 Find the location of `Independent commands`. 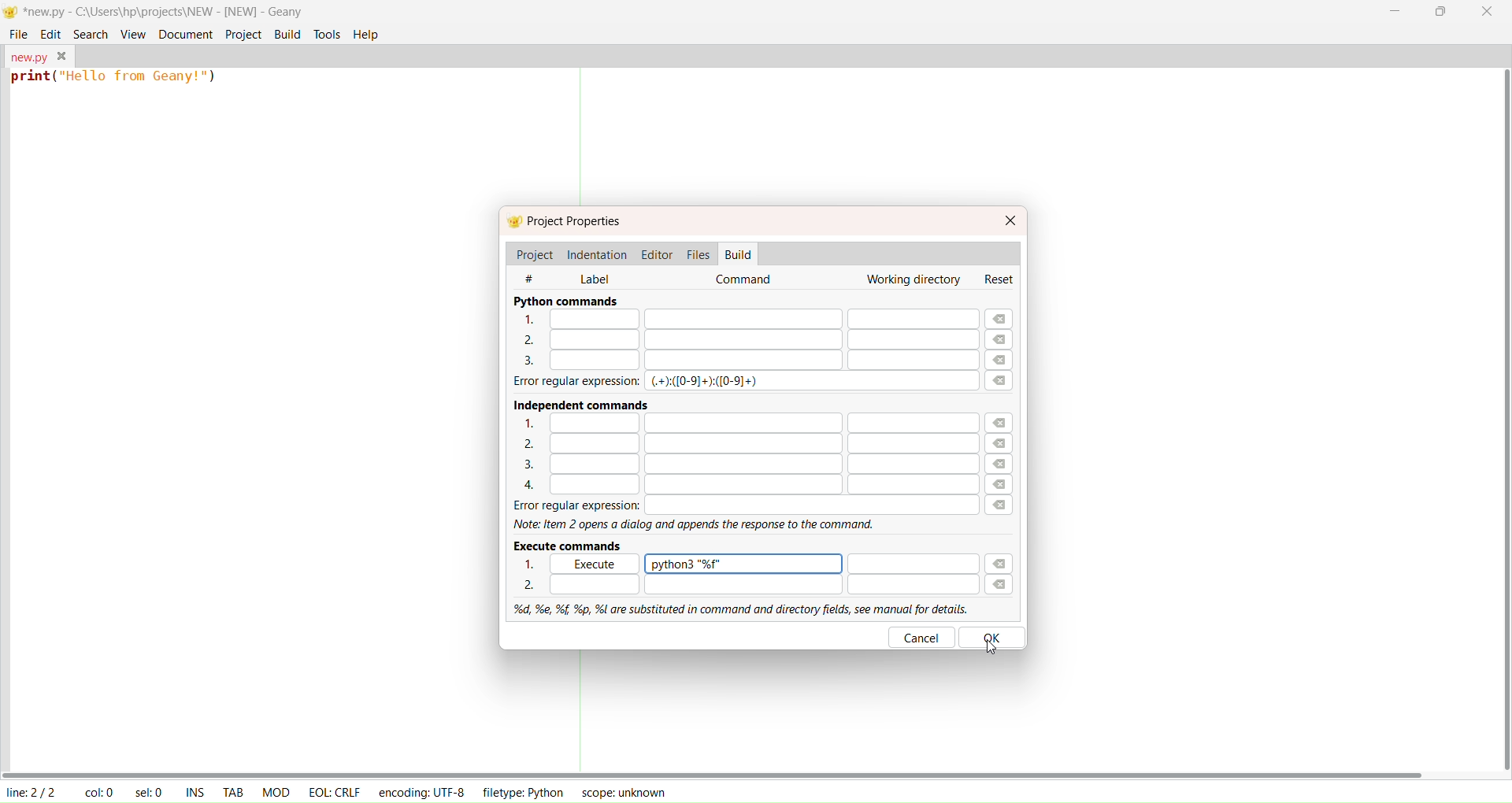

Independent commands is located at coordinates (574, 402).